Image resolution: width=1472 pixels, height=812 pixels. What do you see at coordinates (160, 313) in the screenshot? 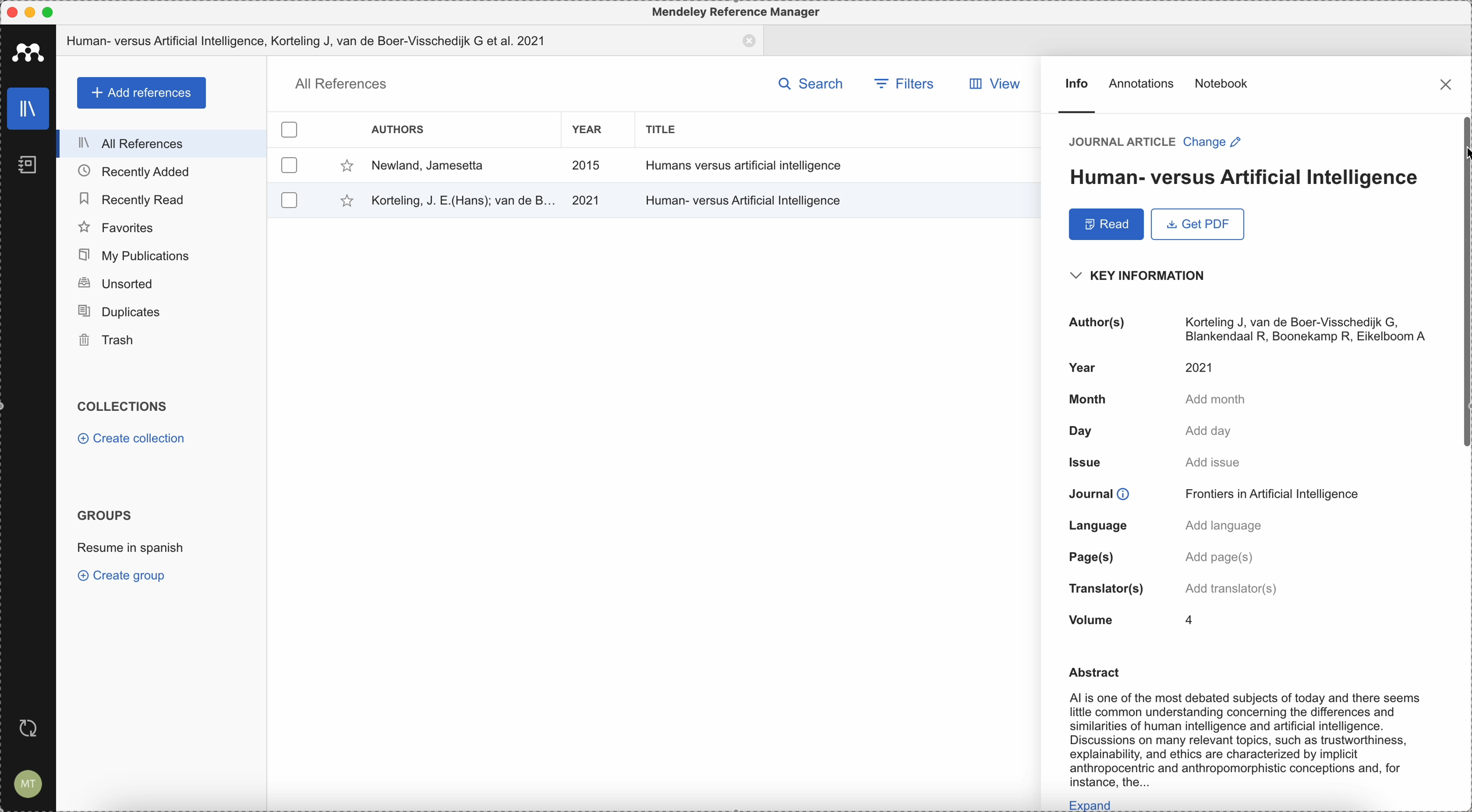
I see `duplicates` at bounding box center [160, 313].